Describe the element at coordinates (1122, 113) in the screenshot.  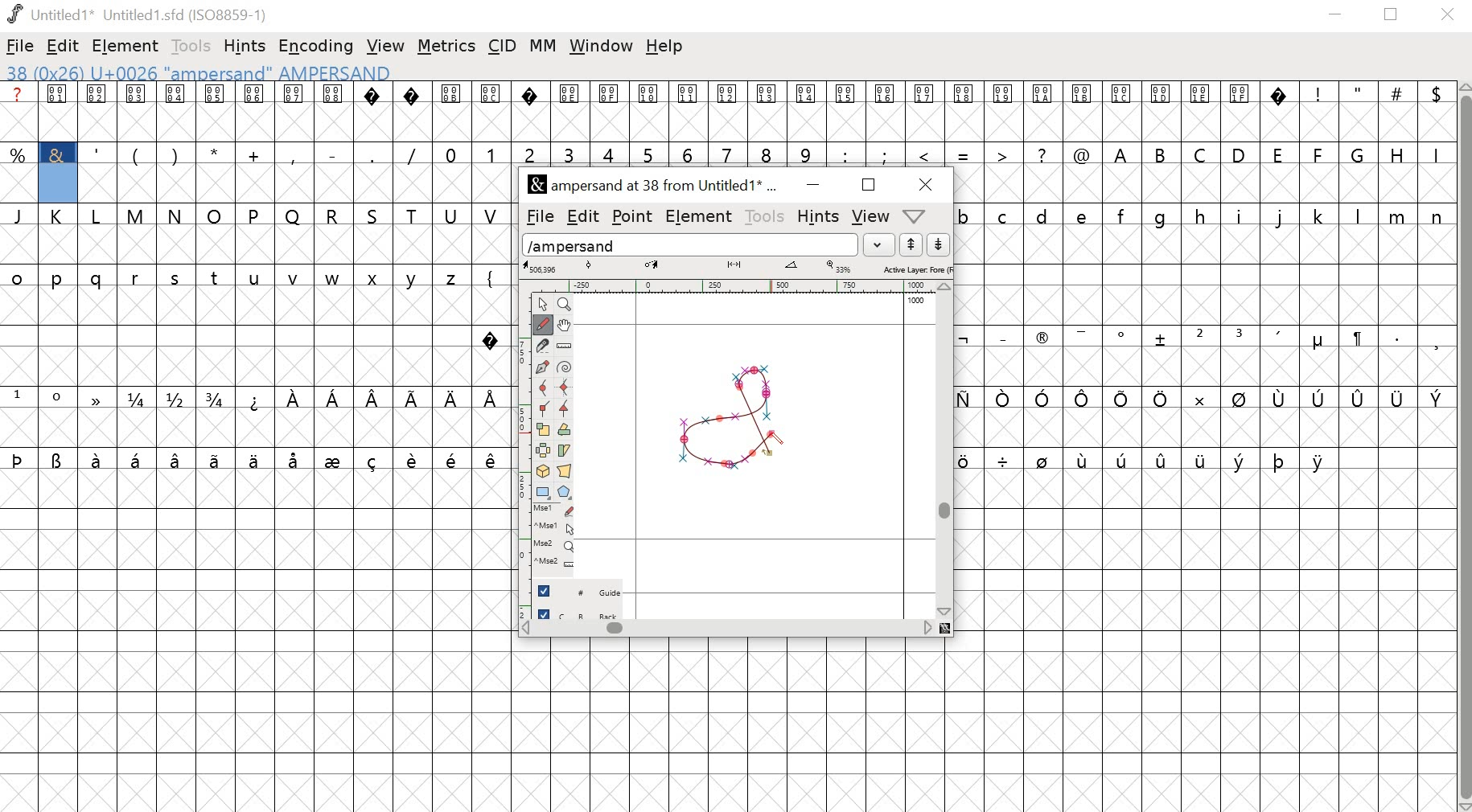
I see `001C` at that location.